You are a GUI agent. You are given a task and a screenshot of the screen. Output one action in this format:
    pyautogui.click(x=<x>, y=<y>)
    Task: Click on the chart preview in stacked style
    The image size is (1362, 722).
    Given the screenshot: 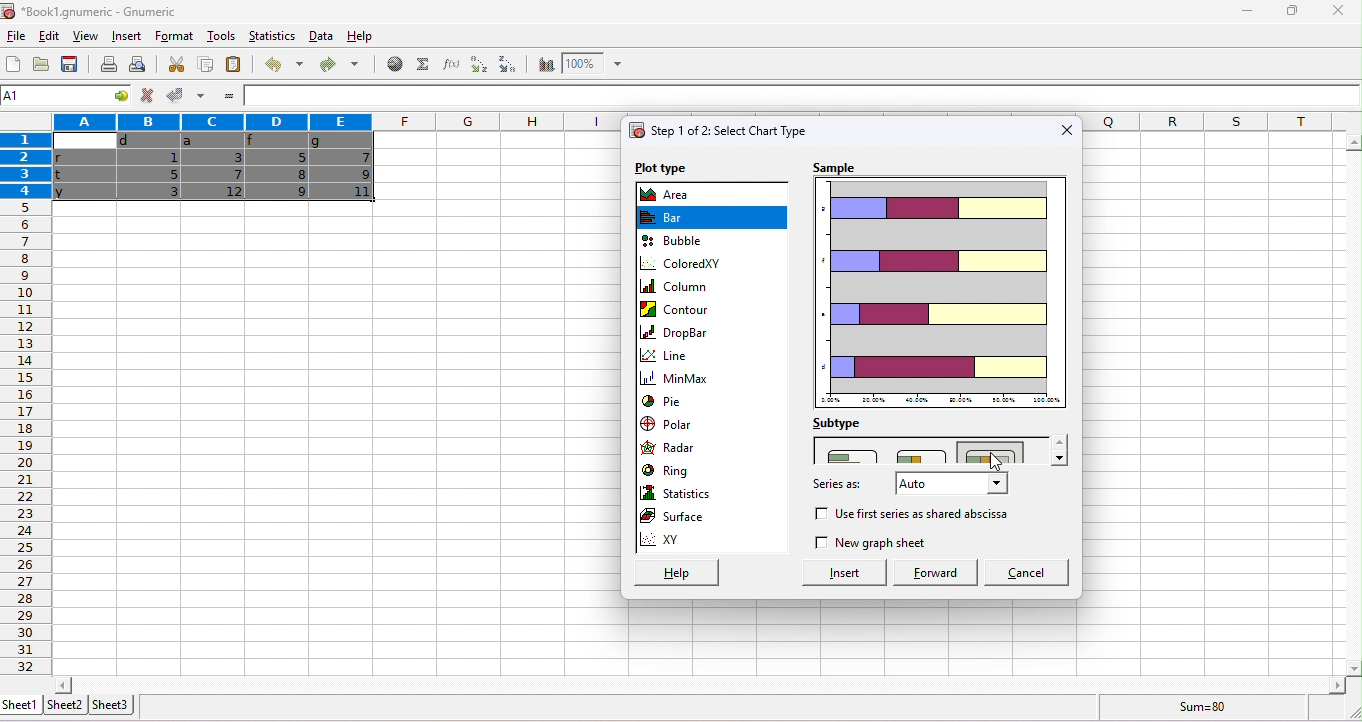 What is the action you would take?
    pyautogui.click(x=942, y=291)
    